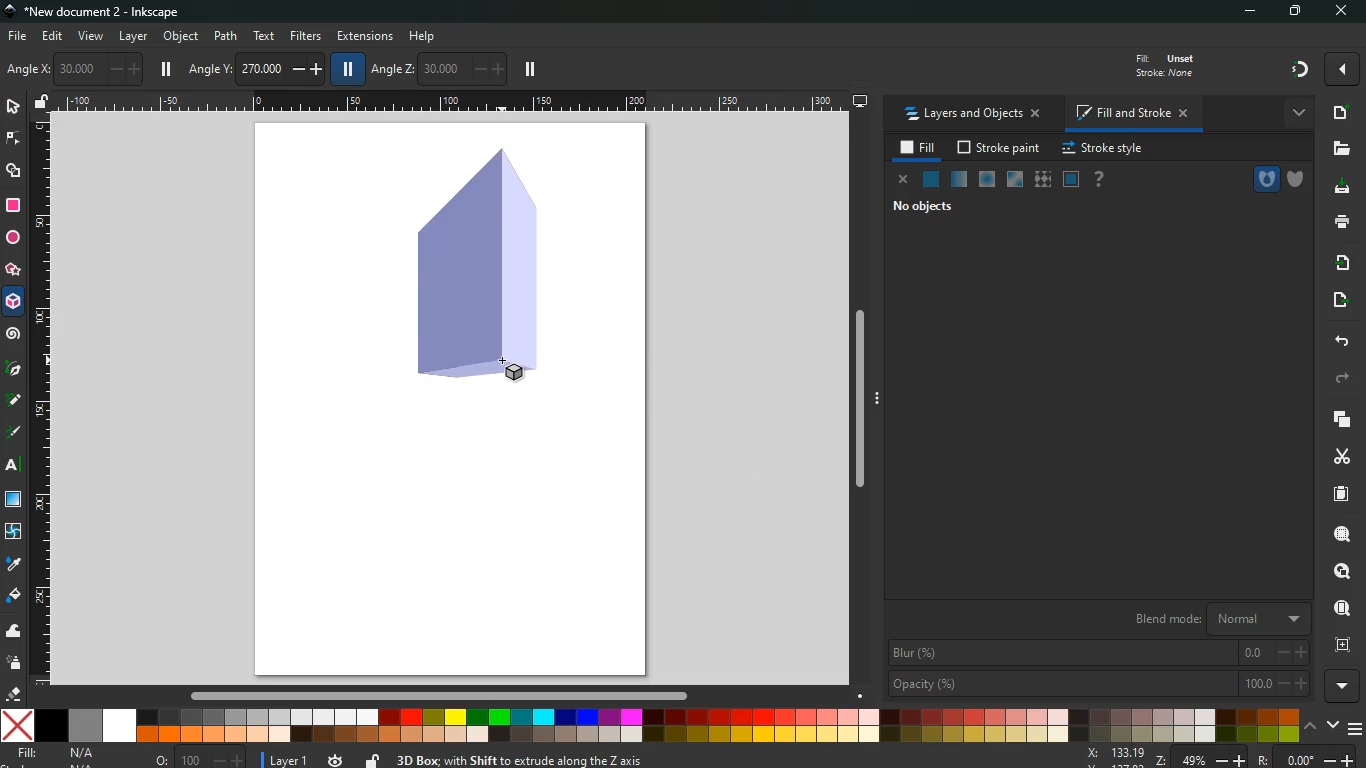  Describe the element at coordinates (1162, 64) in the screenshot. I see `fill` at that location.